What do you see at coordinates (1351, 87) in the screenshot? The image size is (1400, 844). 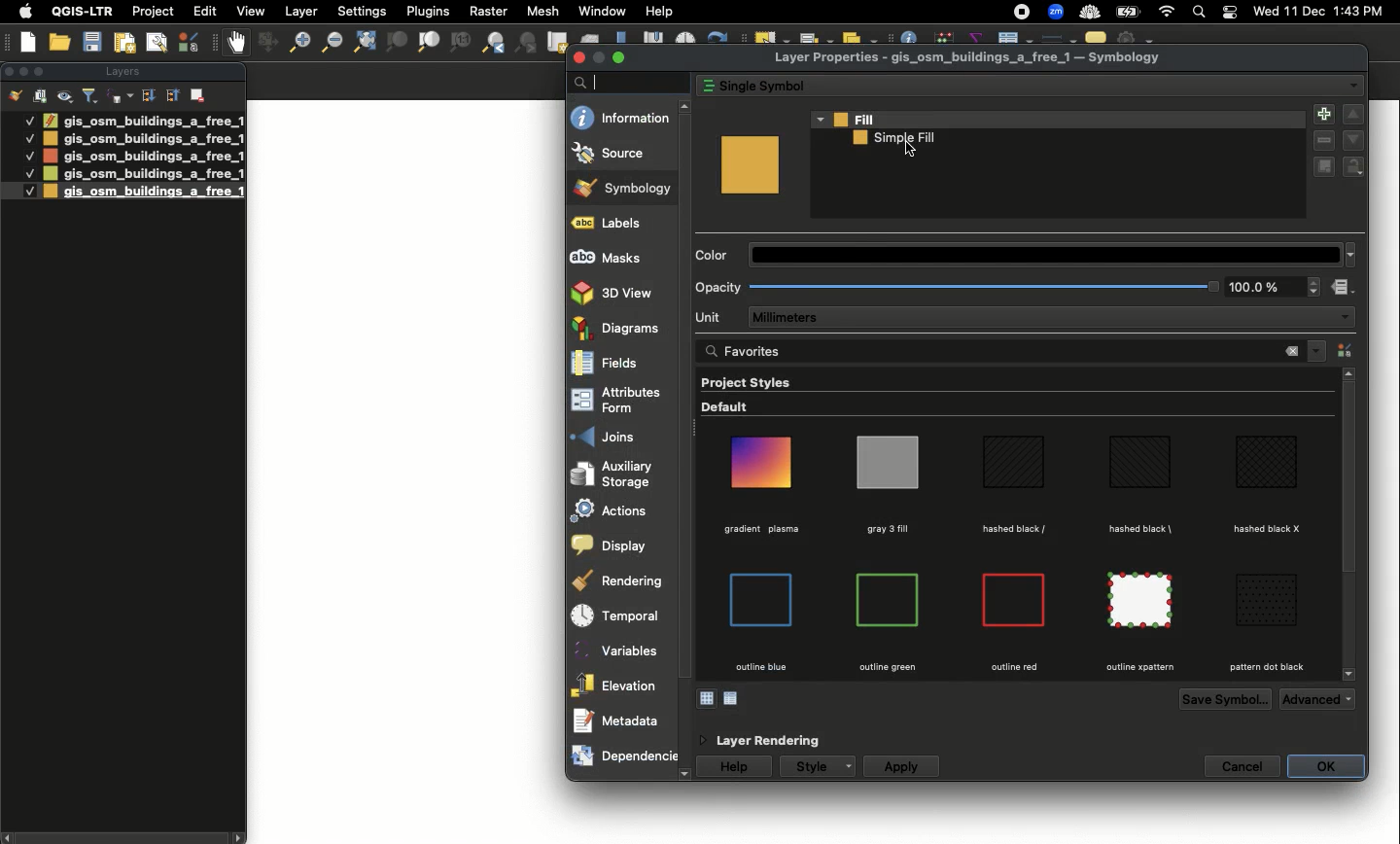 I see `Drop down` at bounding box center [1351, 87].